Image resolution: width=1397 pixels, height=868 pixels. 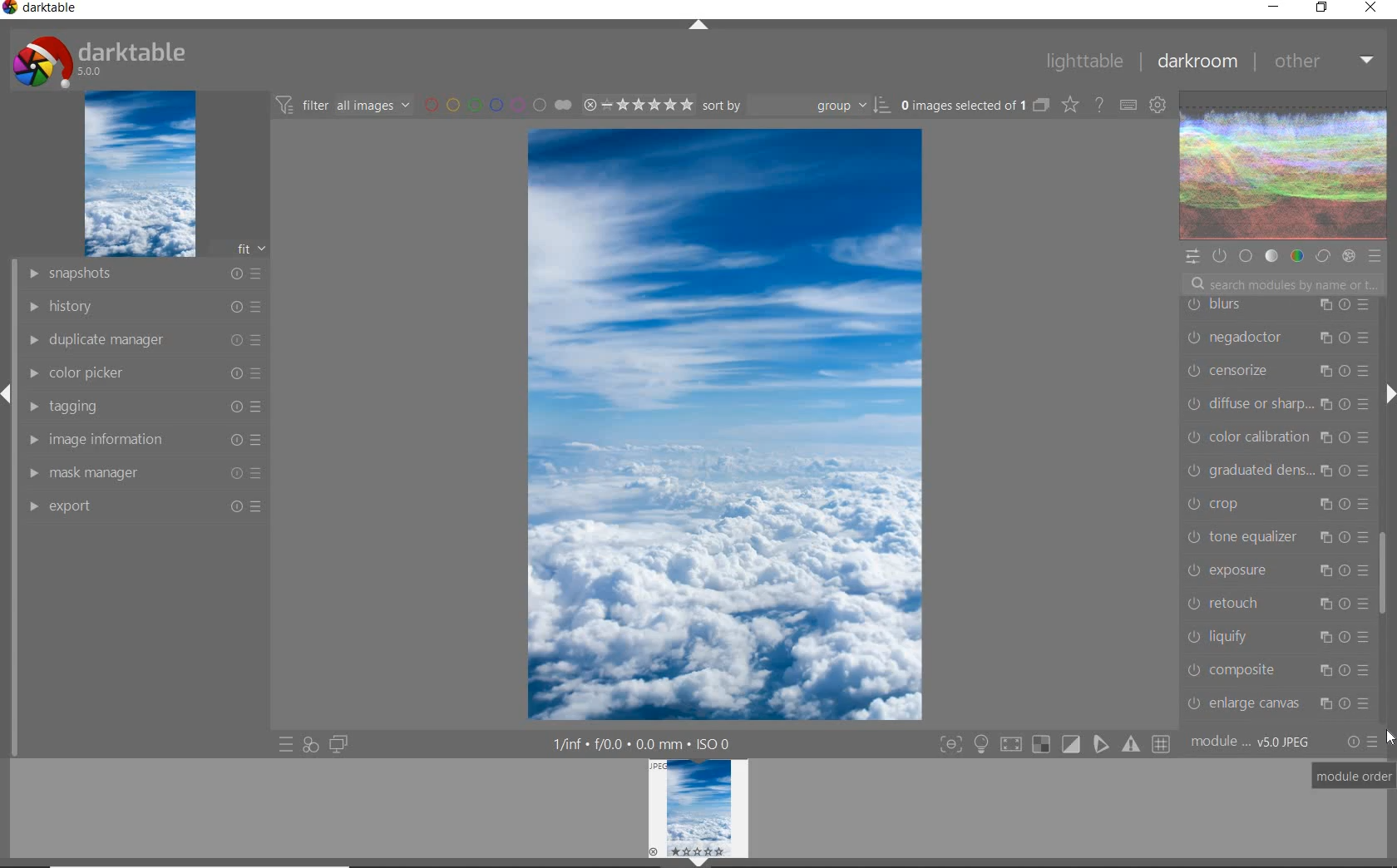 What do you see at coordinates (143, 506) in the screenshot?
I see `EXPORT` at bounding box center [143, 506].